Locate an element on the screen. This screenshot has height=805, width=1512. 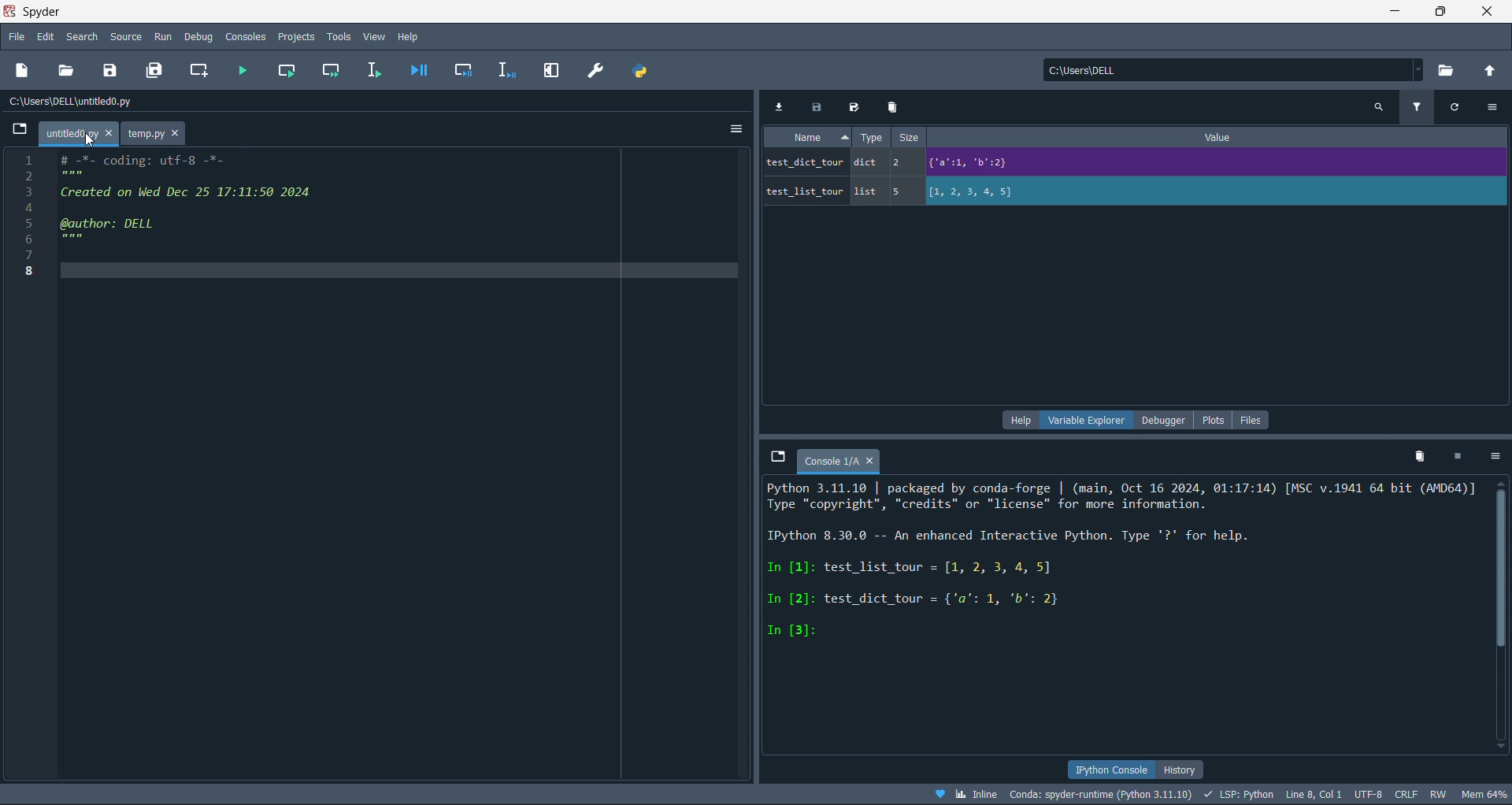
file is located at coordinates (15, 38).